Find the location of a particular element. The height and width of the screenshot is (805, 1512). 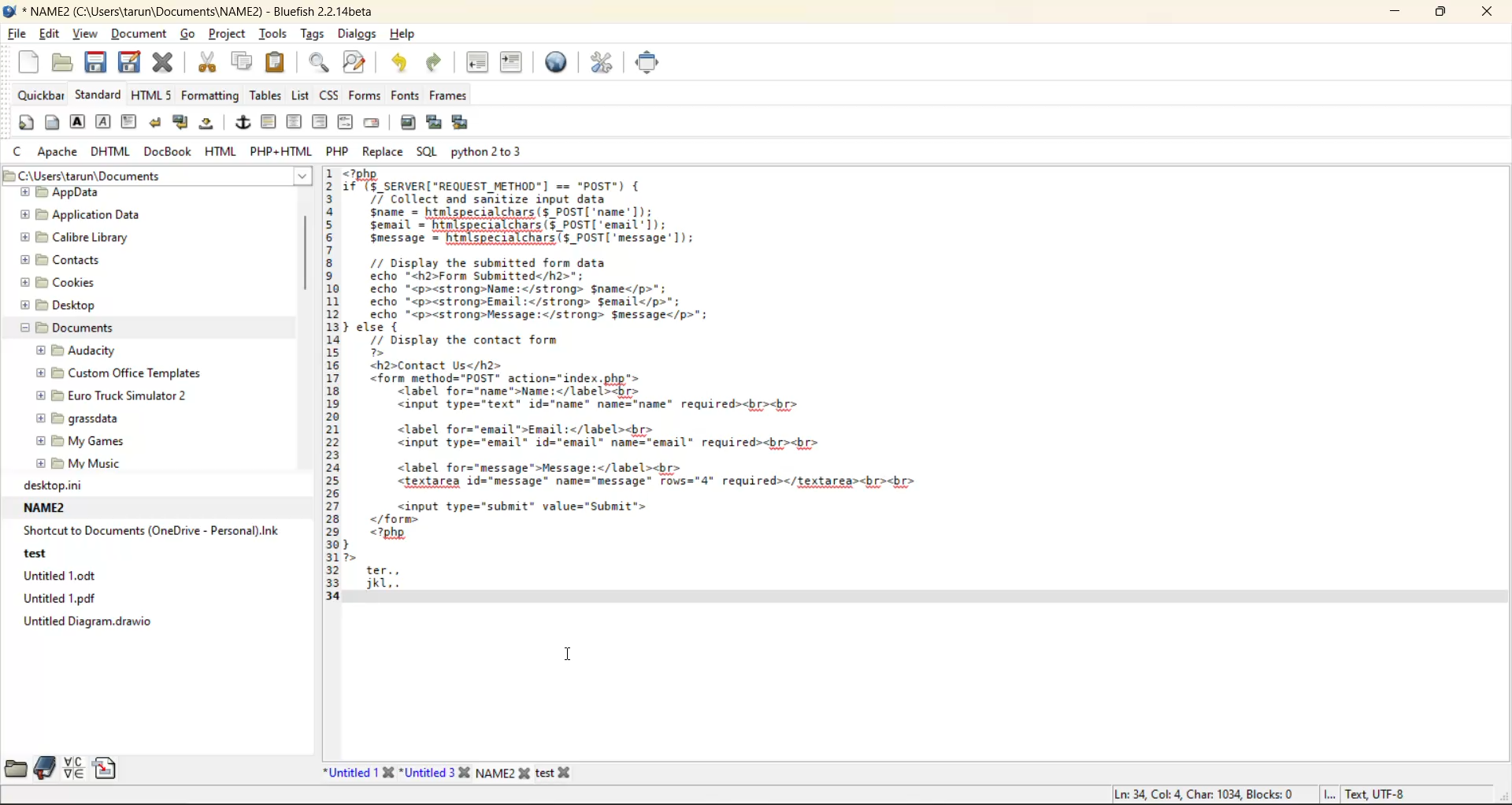

Untitled 1 is located at coordinates (356, 770).